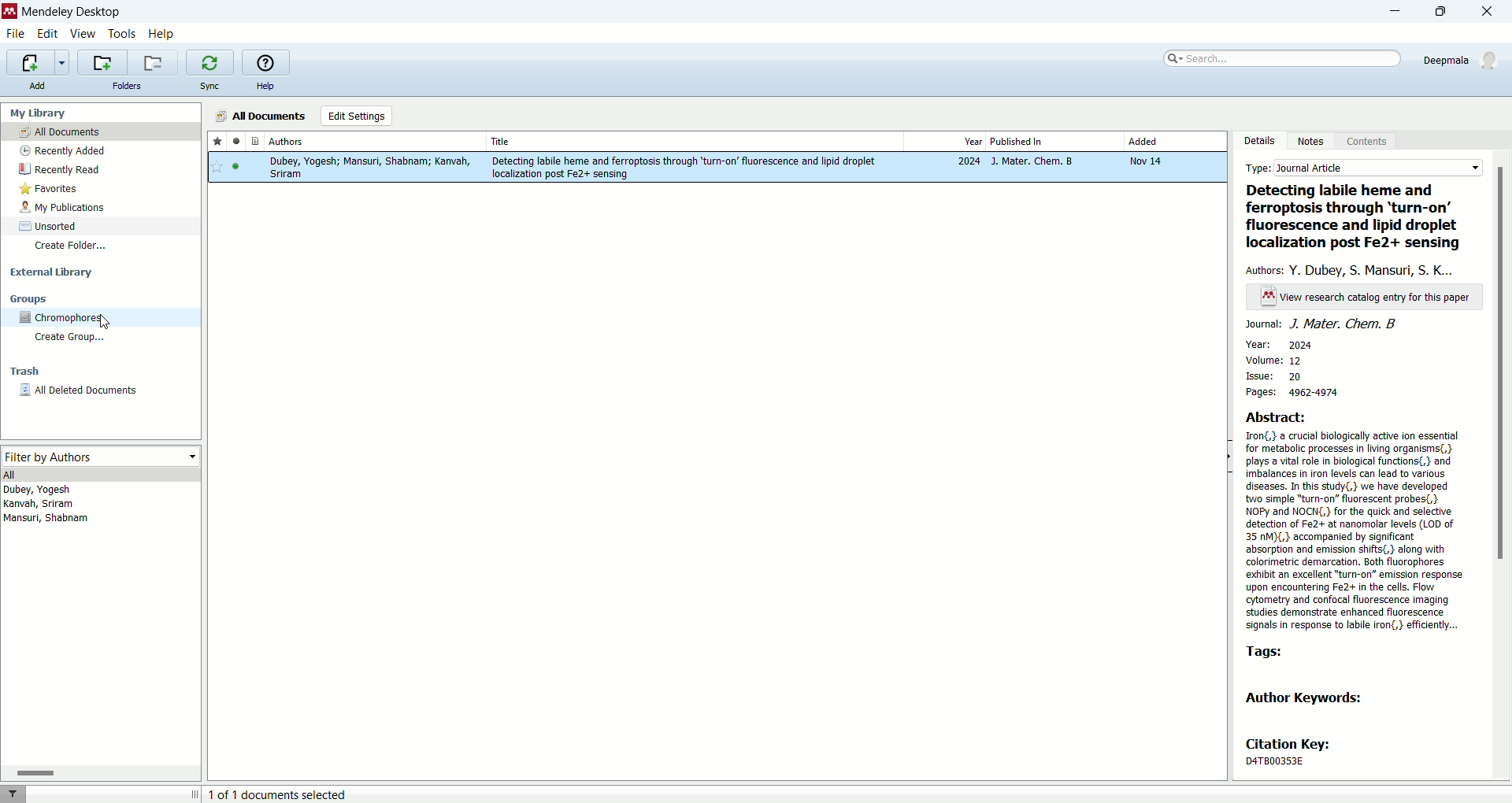  What do you see at coordinates (1355, 520) in the screenshot?
I see `Abstract:

Tron{,} a crucial biologically active ion essential
for metabolic processes in ving organisms{,}
plays a vital role in biological functions(,} and
imbalances in iron levels can lead to various
diseases. In this study, we have developed
two simple “turn-on” fluorescent probes(,}
NOPy and NOCN{,} for the quick and selective
detection of Fe2+ at nanomolar levels (LOD of
35 M)(,} accompanied by significant
‘absorption and emission shits(,} along with
colorimetric demarcation. Both fluorophores
exhibit an excellent “turn-on” emission response
upon encountering Fe2+ in the cells. Flow
cytometry and confocal fluorescence imaging
studies demonstrate enhanced fluorescence
signals in response to labile iron{,} efficiently...` at bounding box center [1355, 520].